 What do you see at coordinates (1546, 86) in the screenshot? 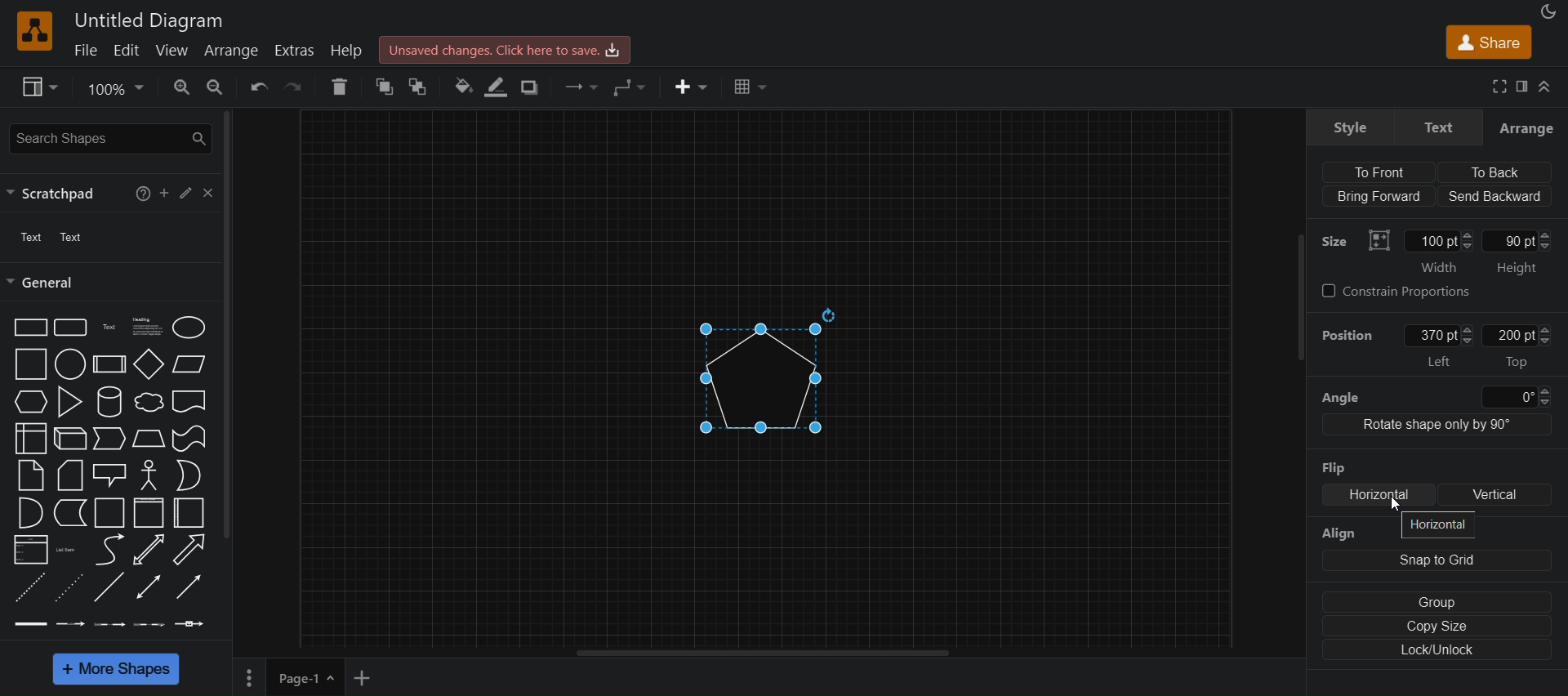
I see `collapse/expand` at bounding box center [1546, 86].